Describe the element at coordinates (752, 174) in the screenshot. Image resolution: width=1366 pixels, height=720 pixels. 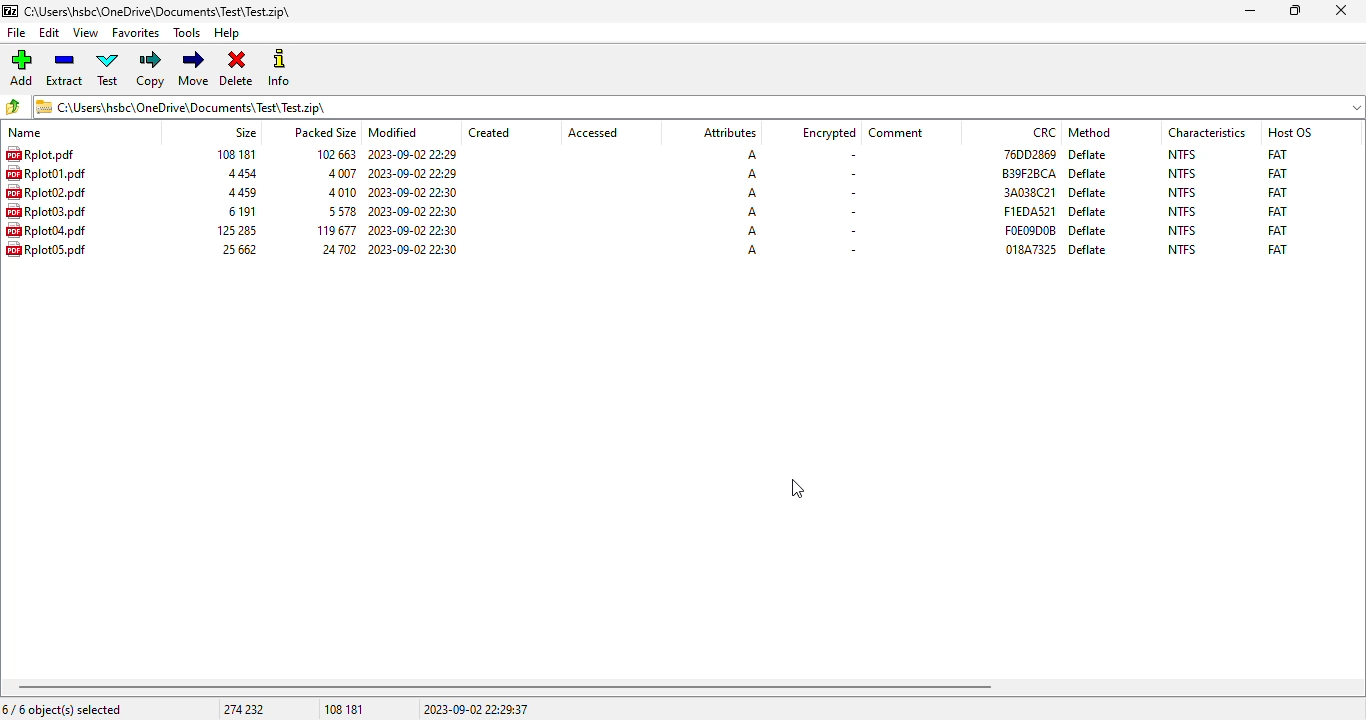
I see `A` at that location.